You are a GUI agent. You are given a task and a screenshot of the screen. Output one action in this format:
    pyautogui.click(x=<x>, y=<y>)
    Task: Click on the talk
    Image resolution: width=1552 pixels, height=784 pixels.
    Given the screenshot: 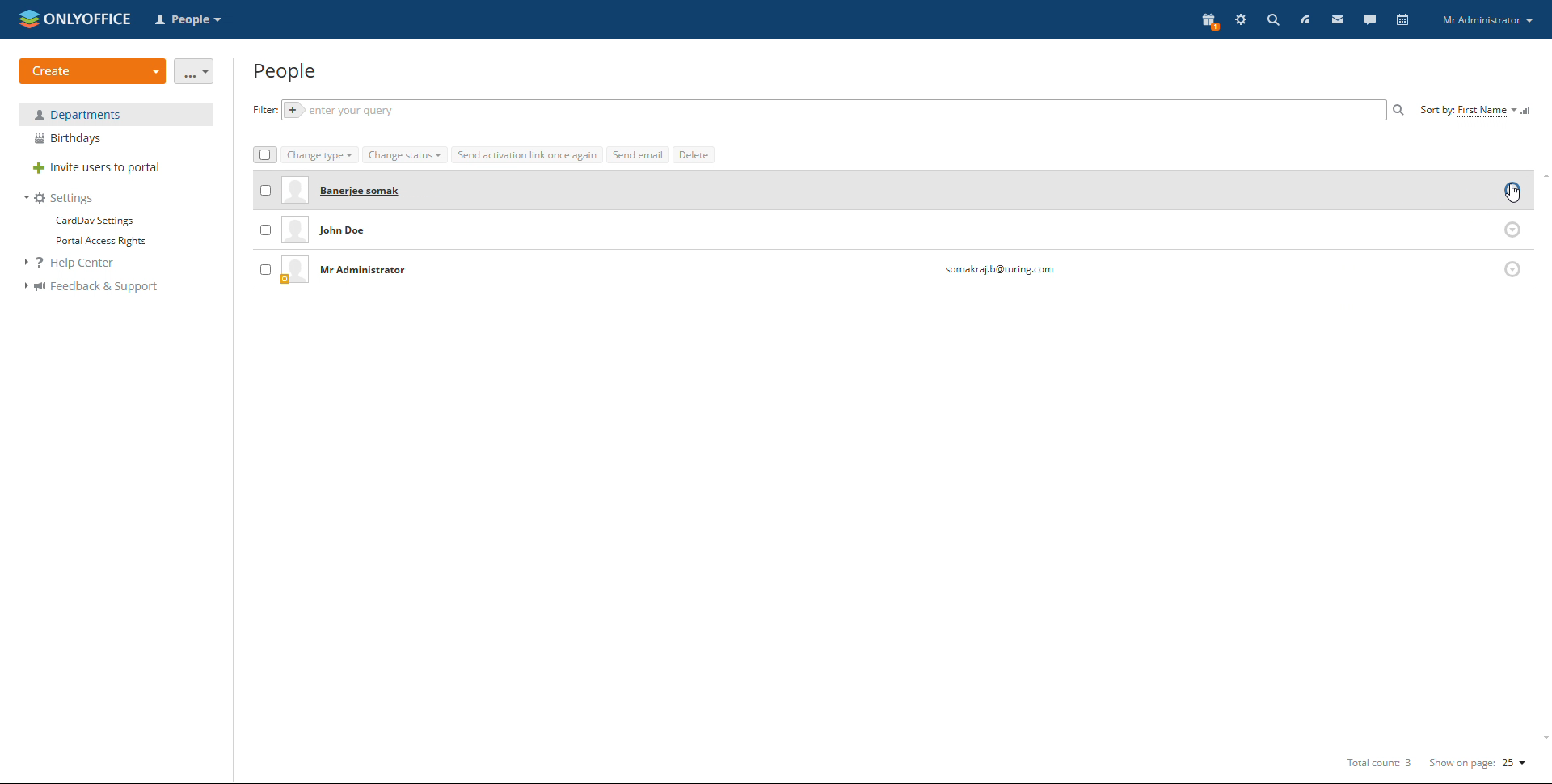 What is the action you would take?
    pyautogui.click(x=1369, y=19)
    